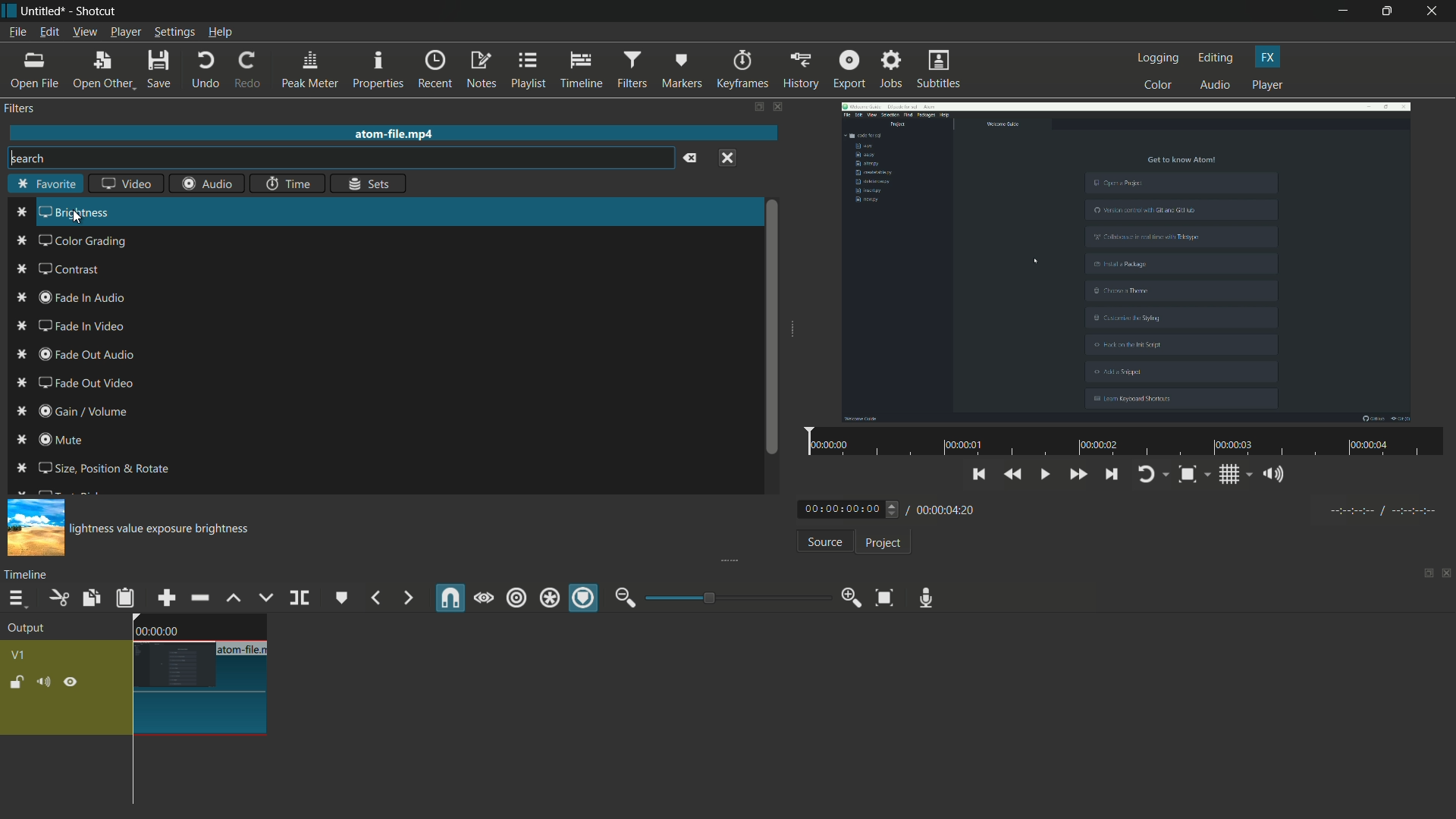 Image resolution: width=1456 pixels, height=819 pixels. What do you see at coordinates (891, 70) in the screenshot?
I see `jobs` at bounding box center [891, 70].